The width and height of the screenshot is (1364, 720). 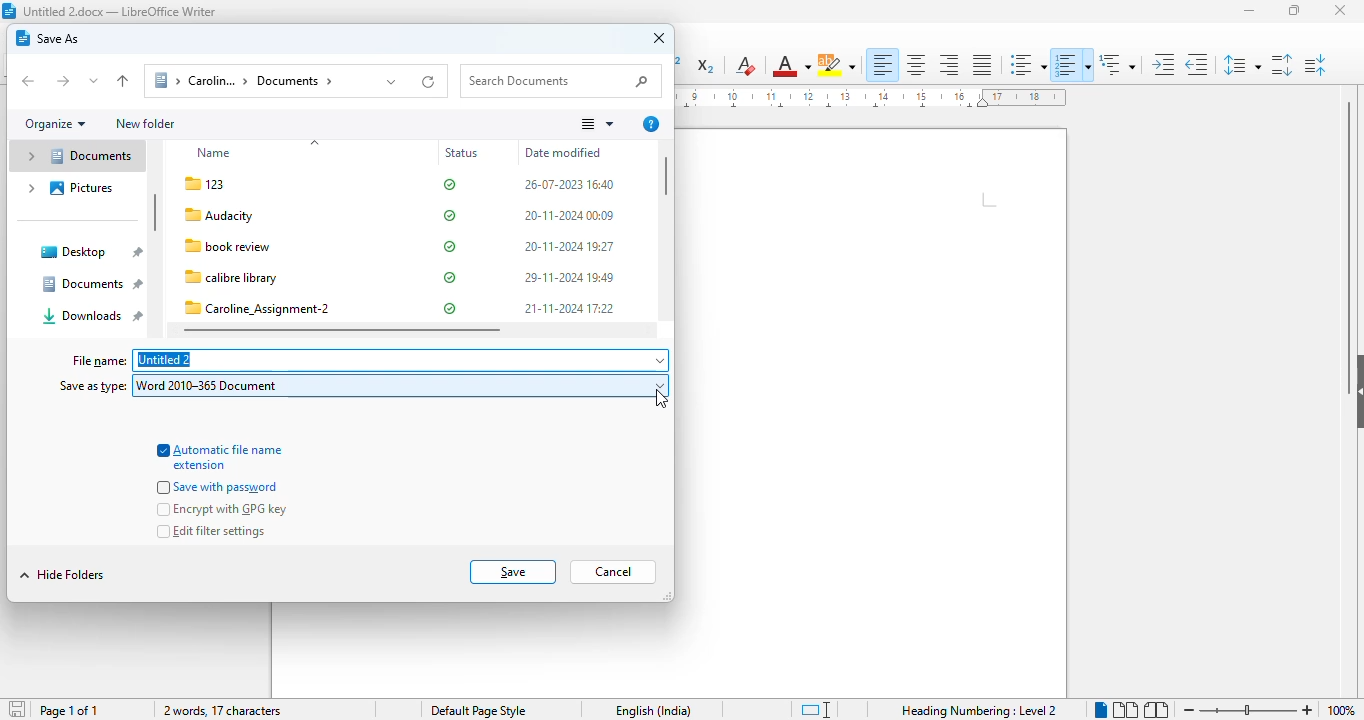 I want to click on organize, so click(x=55, y=124).